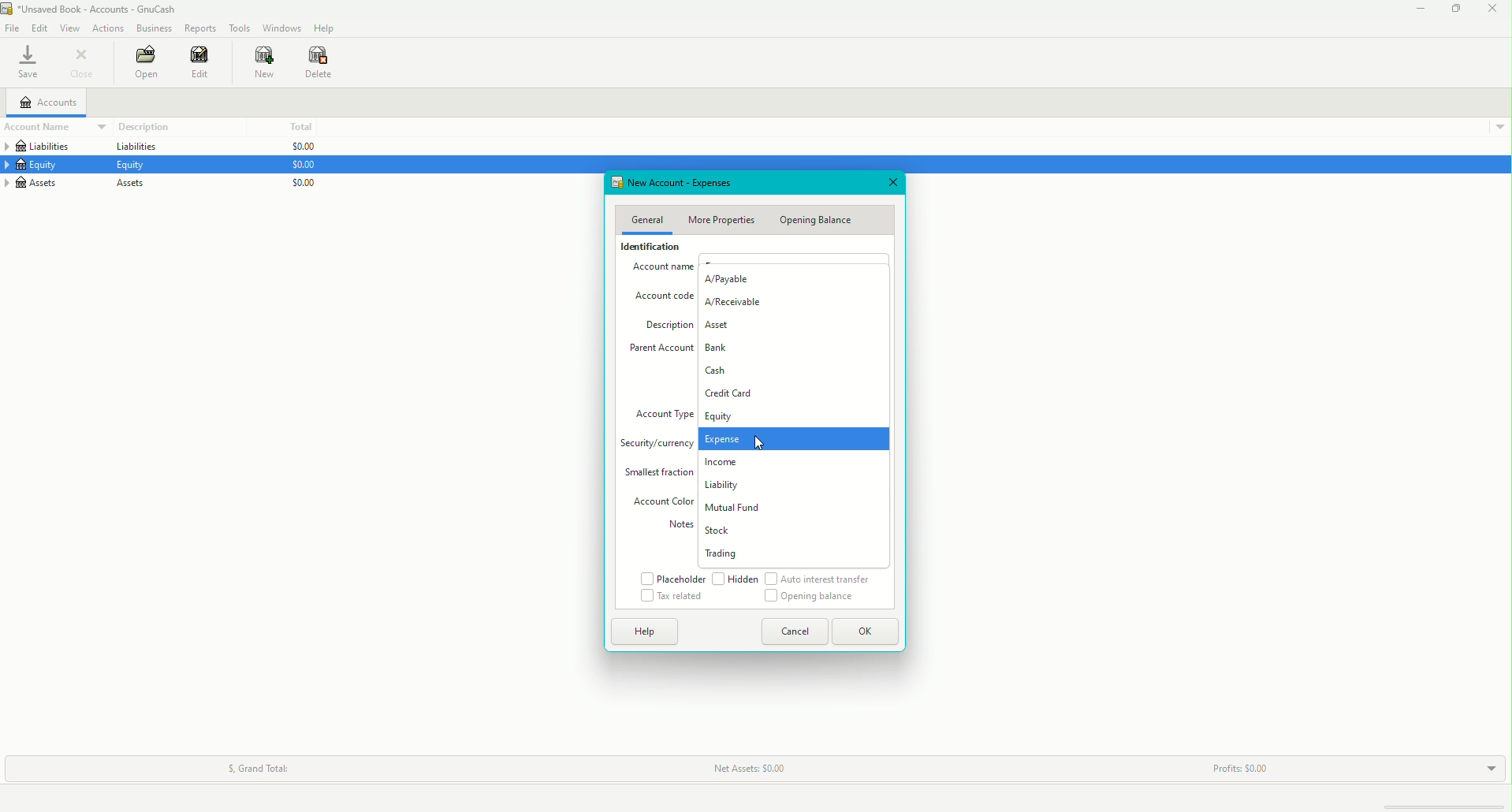 This screenshot has height=812, width=1512. What do you see at coordinates (719, 324) in the screenshot?
I see `Asset` at bounding box center [719, 324].